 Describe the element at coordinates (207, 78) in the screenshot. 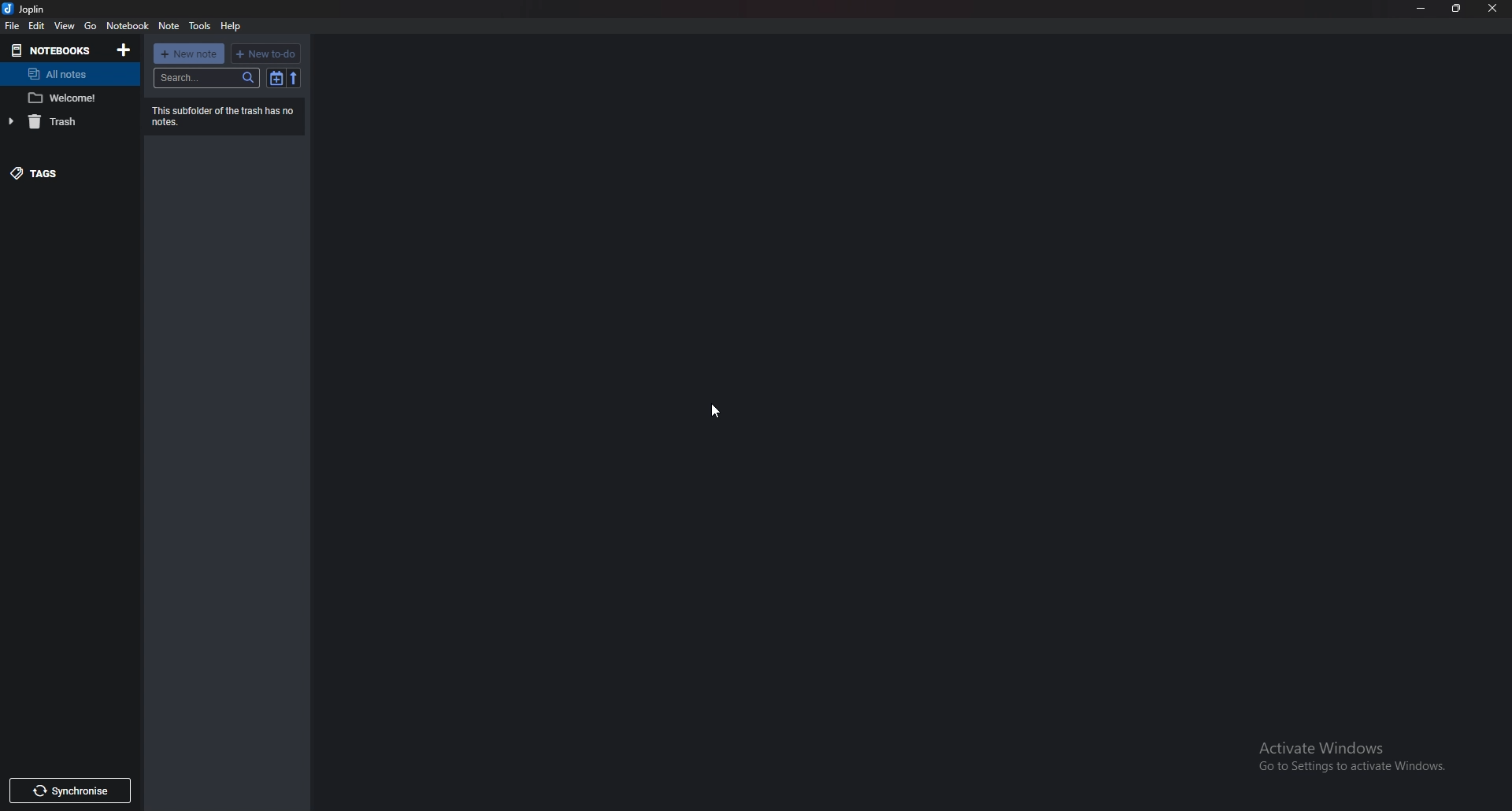

I see `search` at that location.